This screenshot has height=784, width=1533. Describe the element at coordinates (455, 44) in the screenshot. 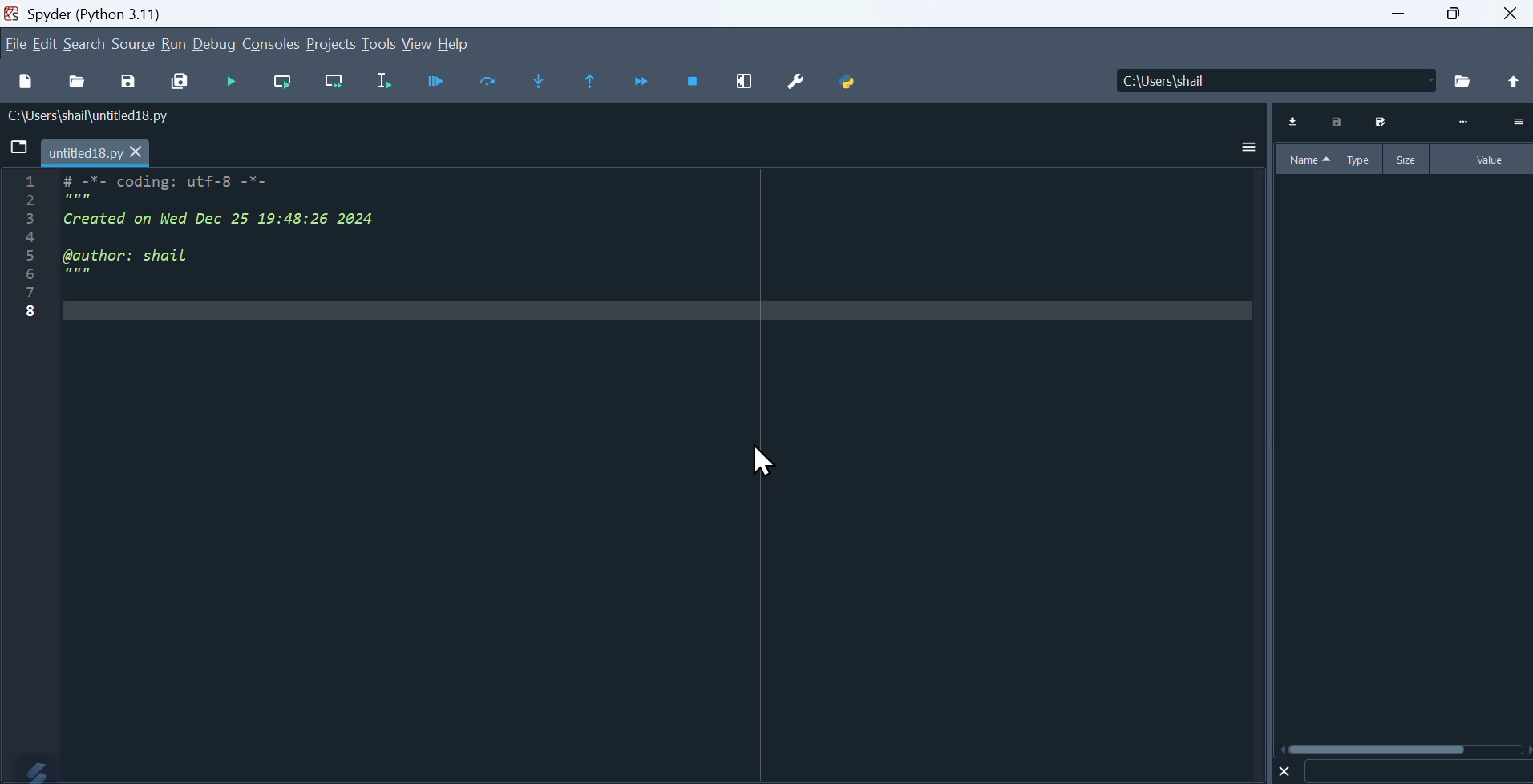

I see `Help` at that location.